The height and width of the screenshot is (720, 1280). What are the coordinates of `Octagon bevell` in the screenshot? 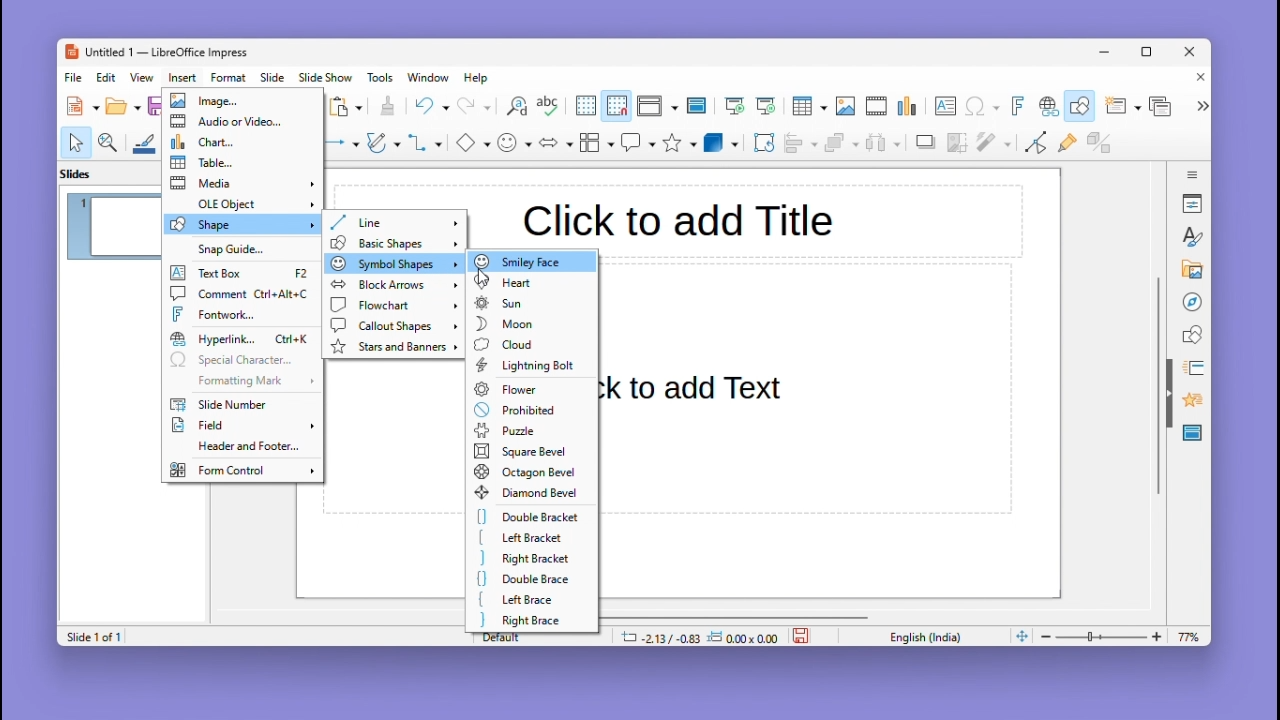 It's located at (528, 471).